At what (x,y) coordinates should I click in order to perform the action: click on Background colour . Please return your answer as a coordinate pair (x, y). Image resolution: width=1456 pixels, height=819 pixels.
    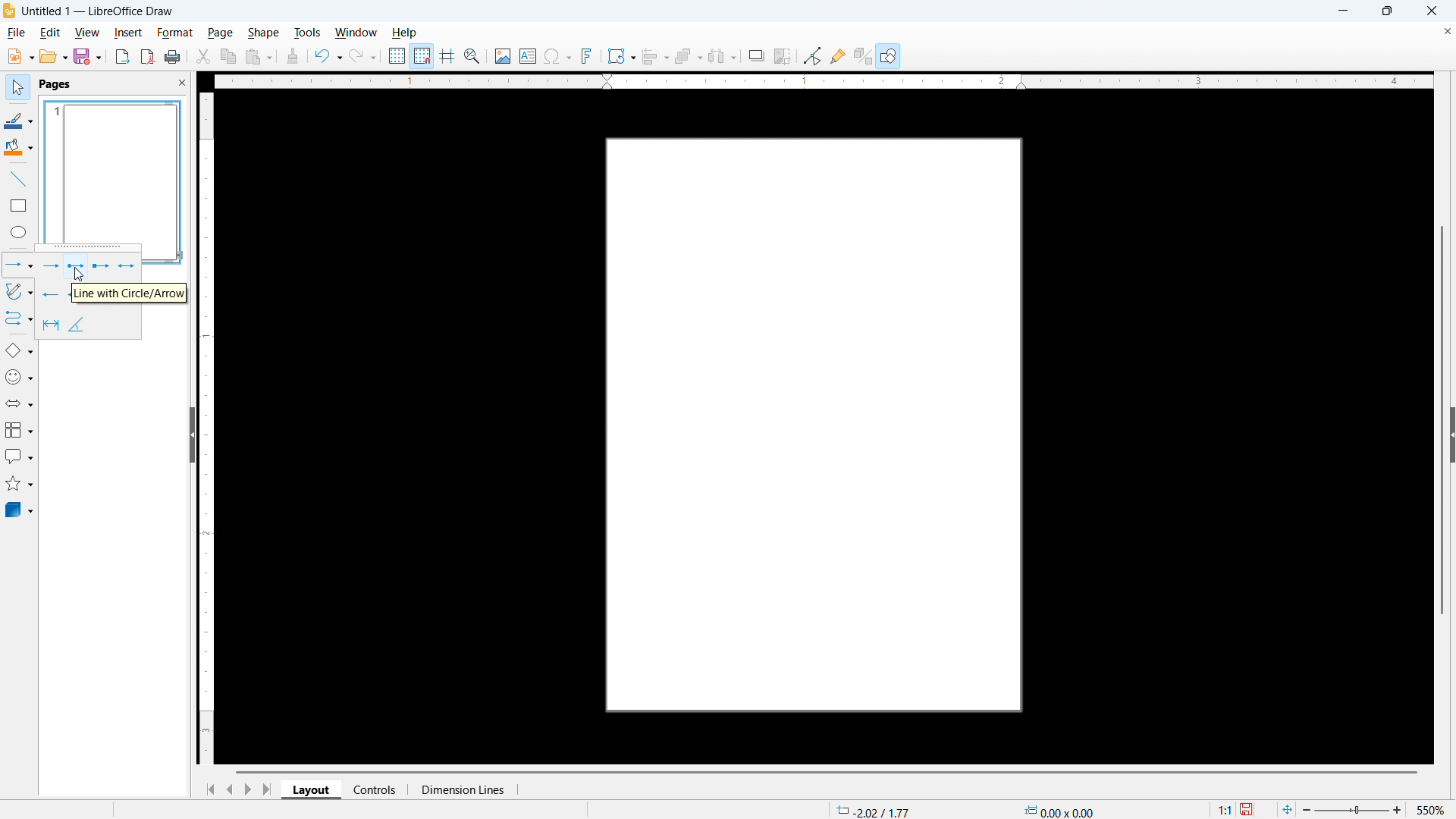
    Looking at the image, I should click on (19, 147).